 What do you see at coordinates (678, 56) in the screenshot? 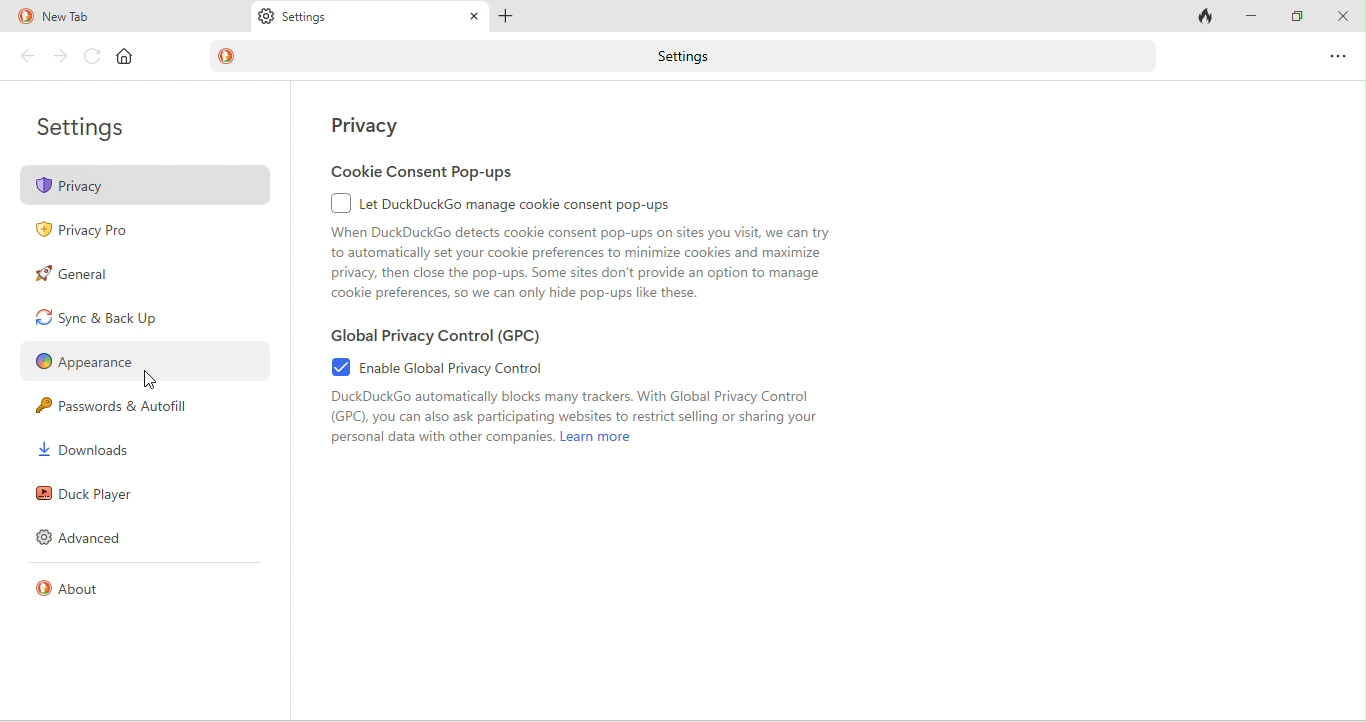
I see `settings` at bounding box center [678, 56].